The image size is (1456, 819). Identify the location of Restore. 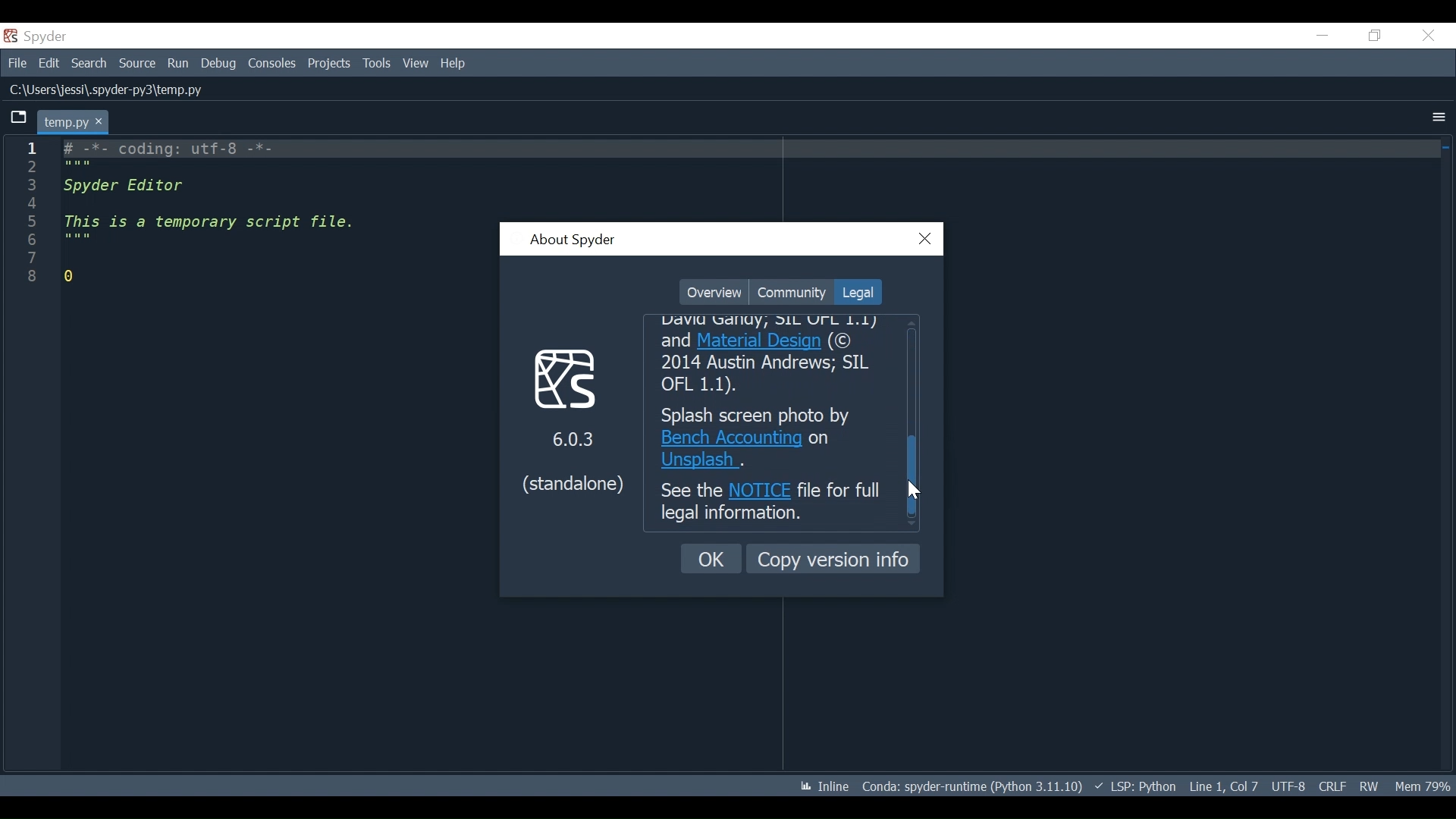
(1376, 35).